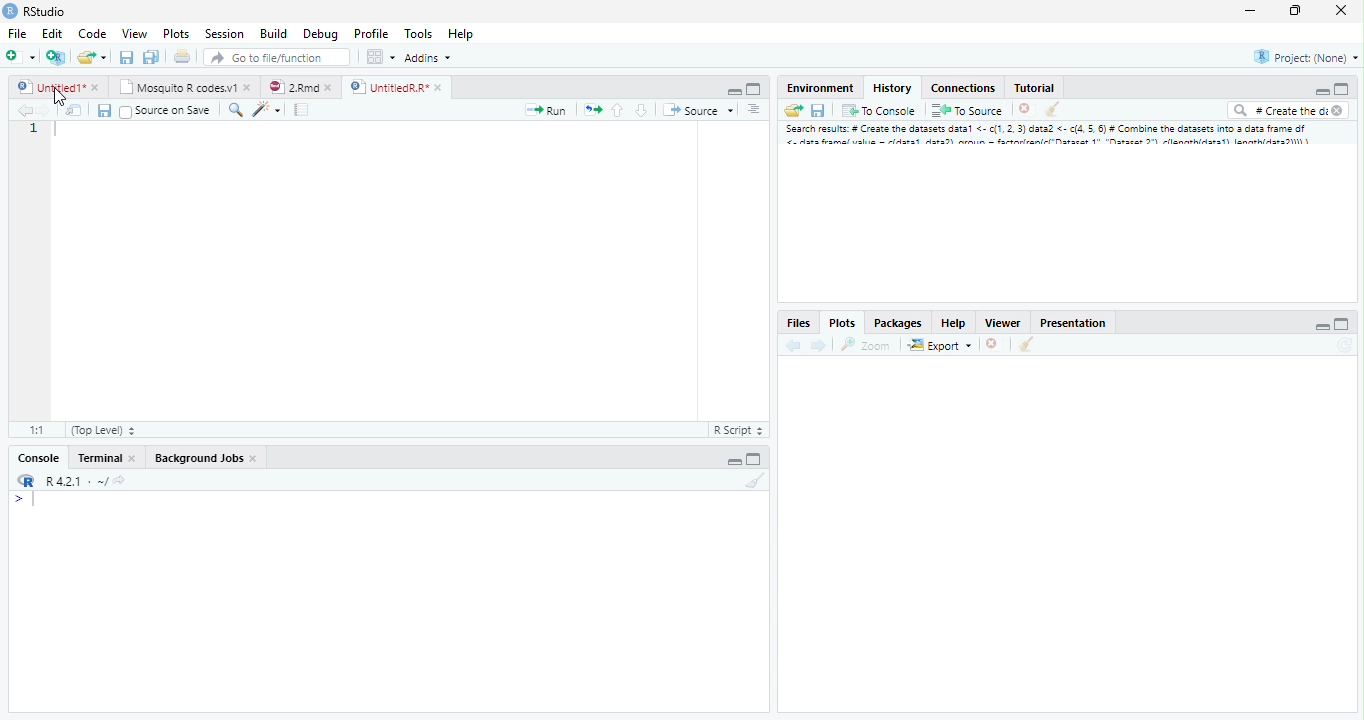 This screenshot has width=1364, height=720. Describe the element at coordinates (348, 34) in the screenshot. I see `Debug` at that location.